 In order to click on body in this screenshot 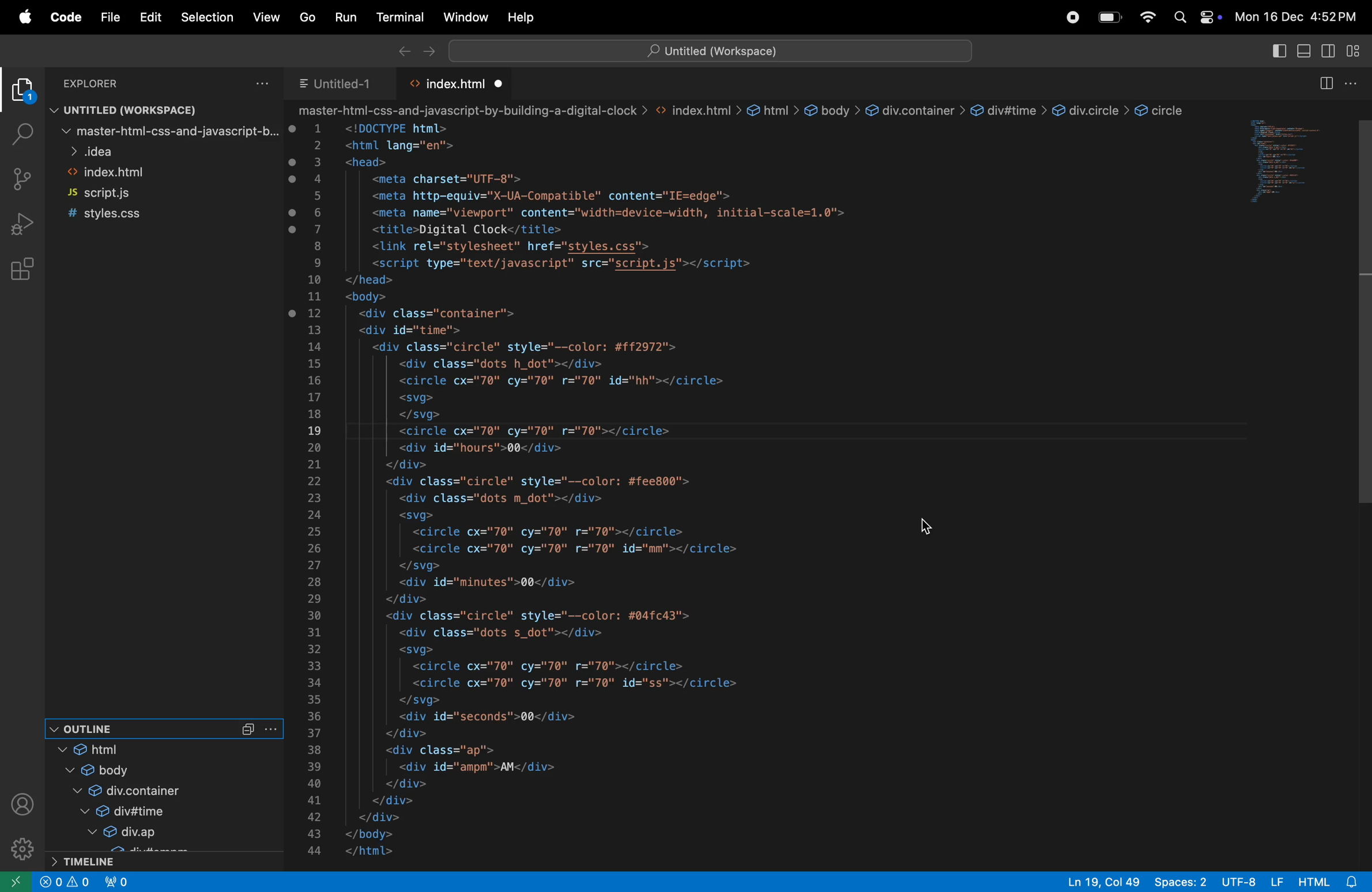, I will do `click(96, 771)`.